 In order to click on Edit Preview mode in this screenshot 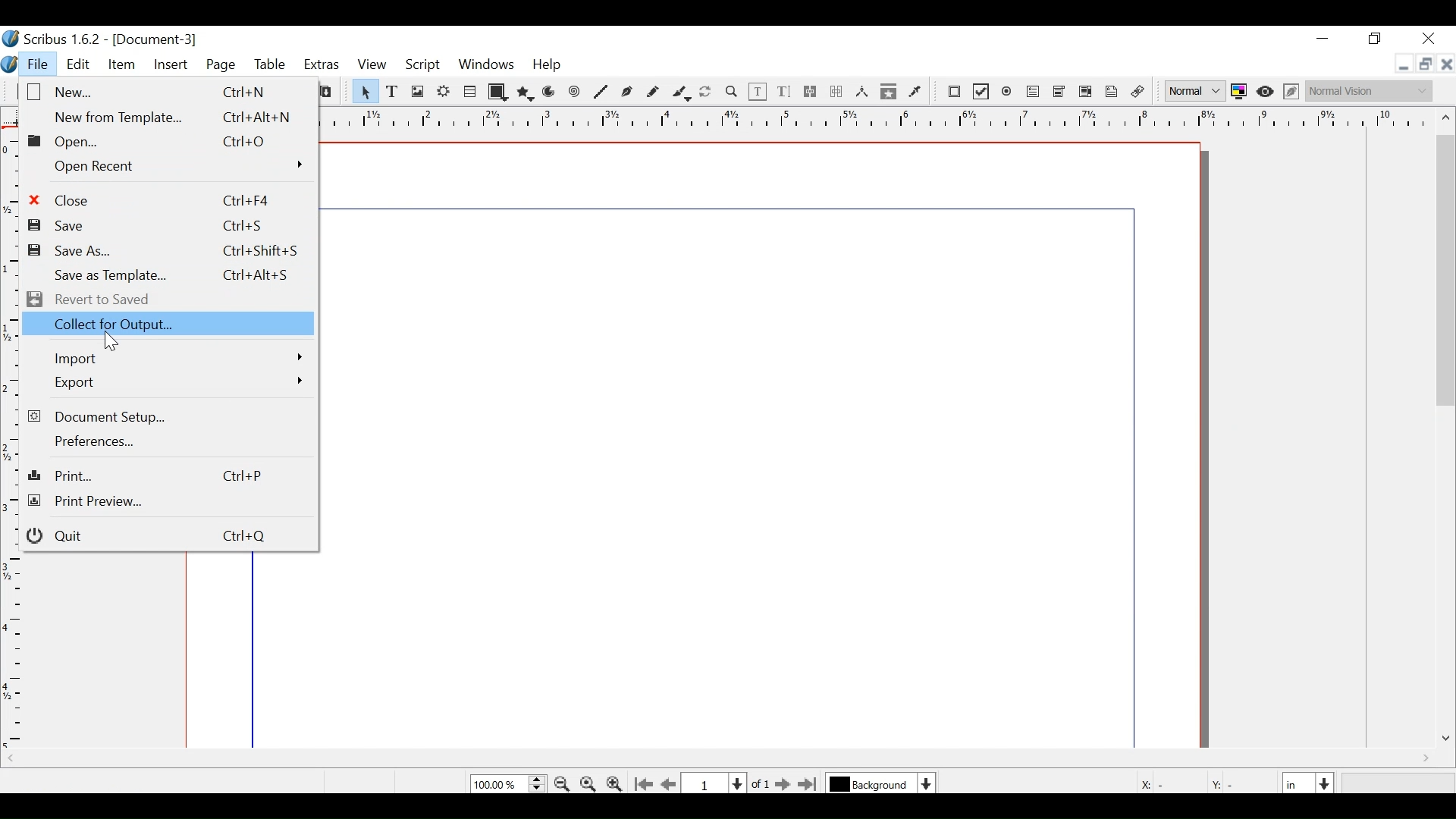, I will do `click(1293, 93)`.